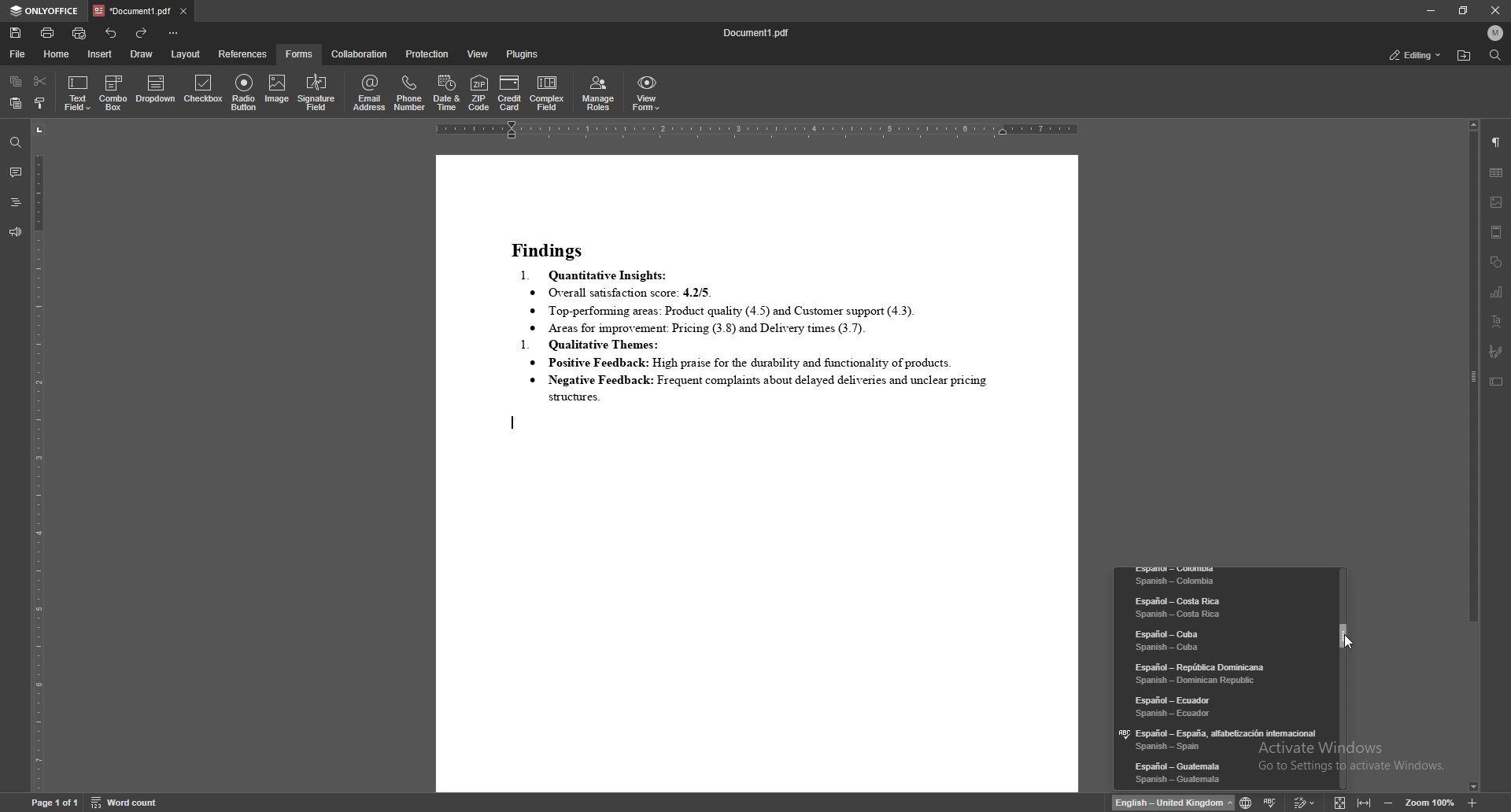 The image size is (1511, 812). What do you see at coordinates (523, 54) in the screenshot?
I see `plugins` at bounding box center [523, 54].